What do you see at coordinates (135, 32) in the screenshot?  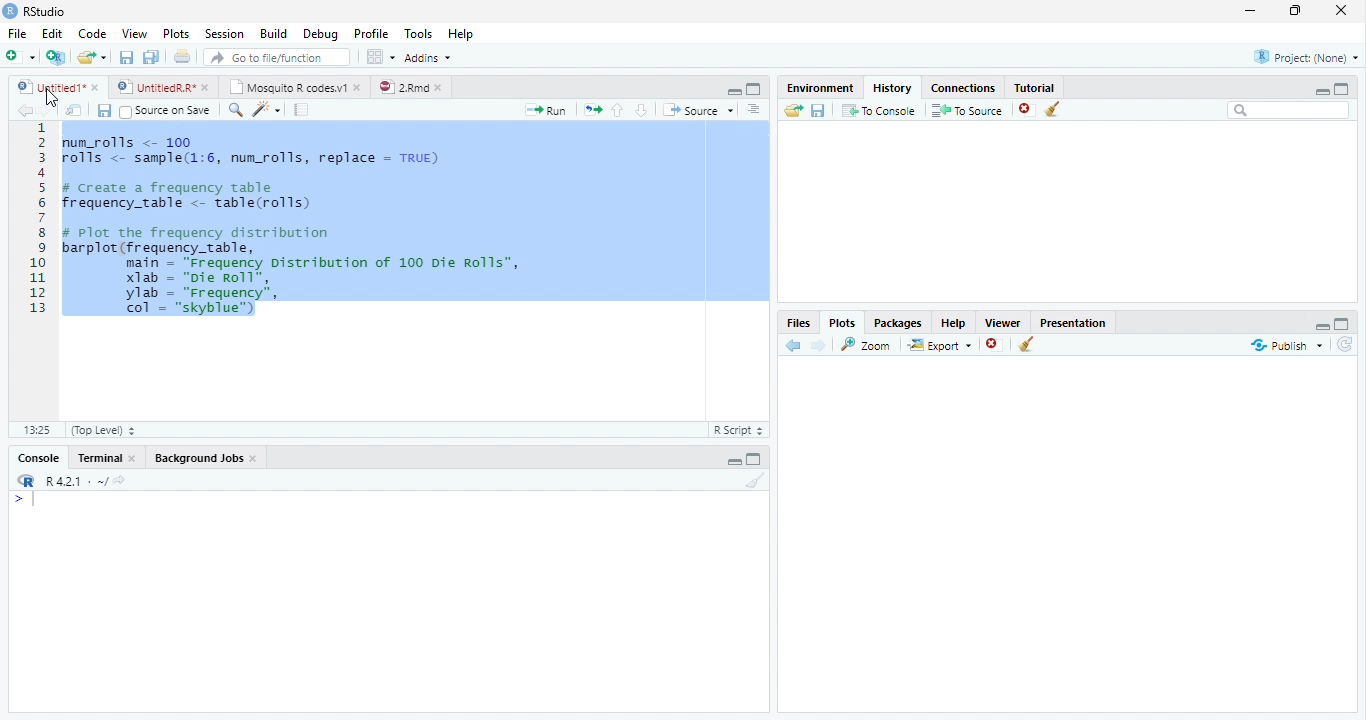 I see `View` at bounding box center [135, 32].